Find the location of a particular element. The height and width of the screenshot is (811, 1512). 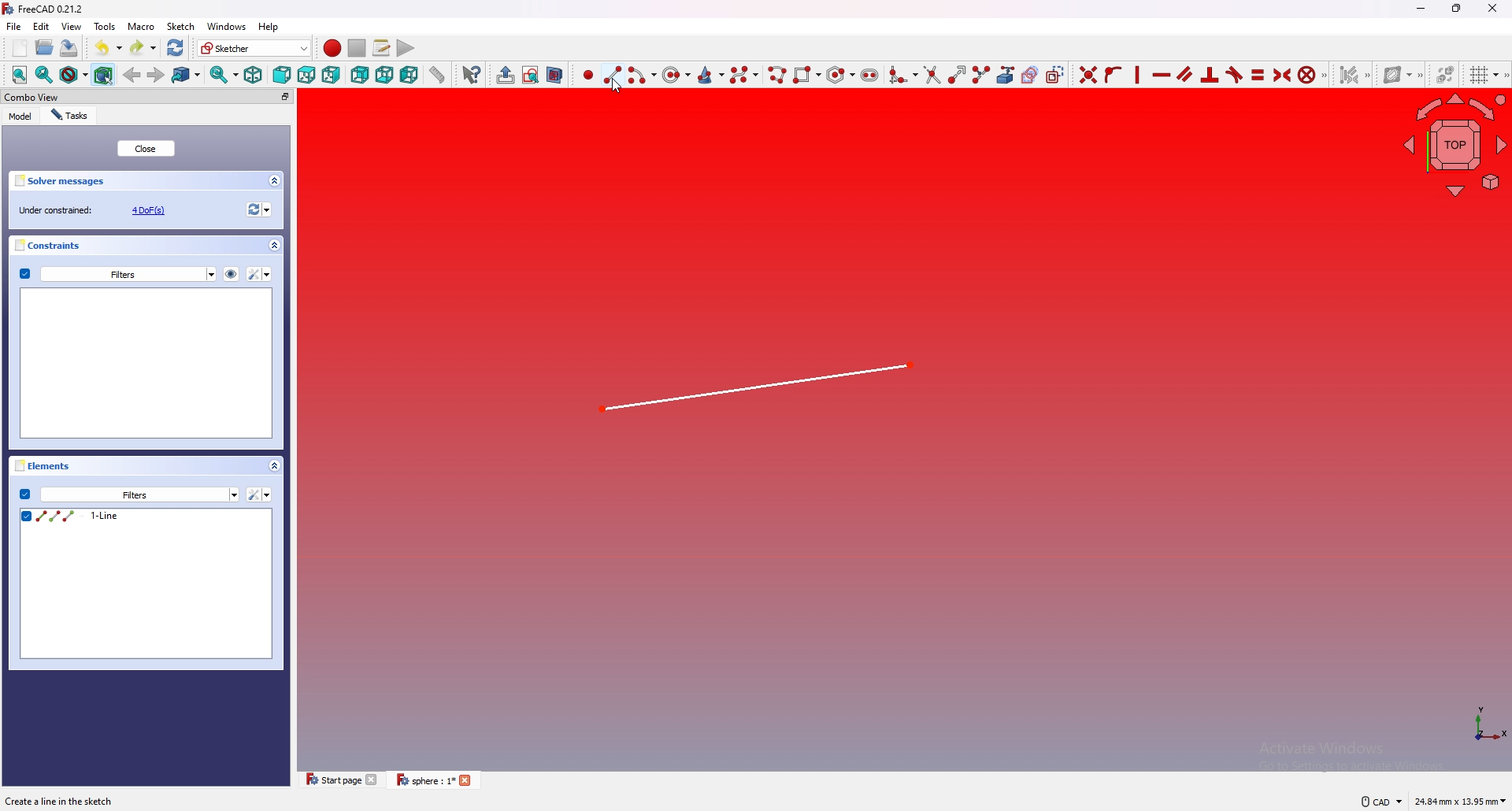

File is located at coordinates (15, 28).